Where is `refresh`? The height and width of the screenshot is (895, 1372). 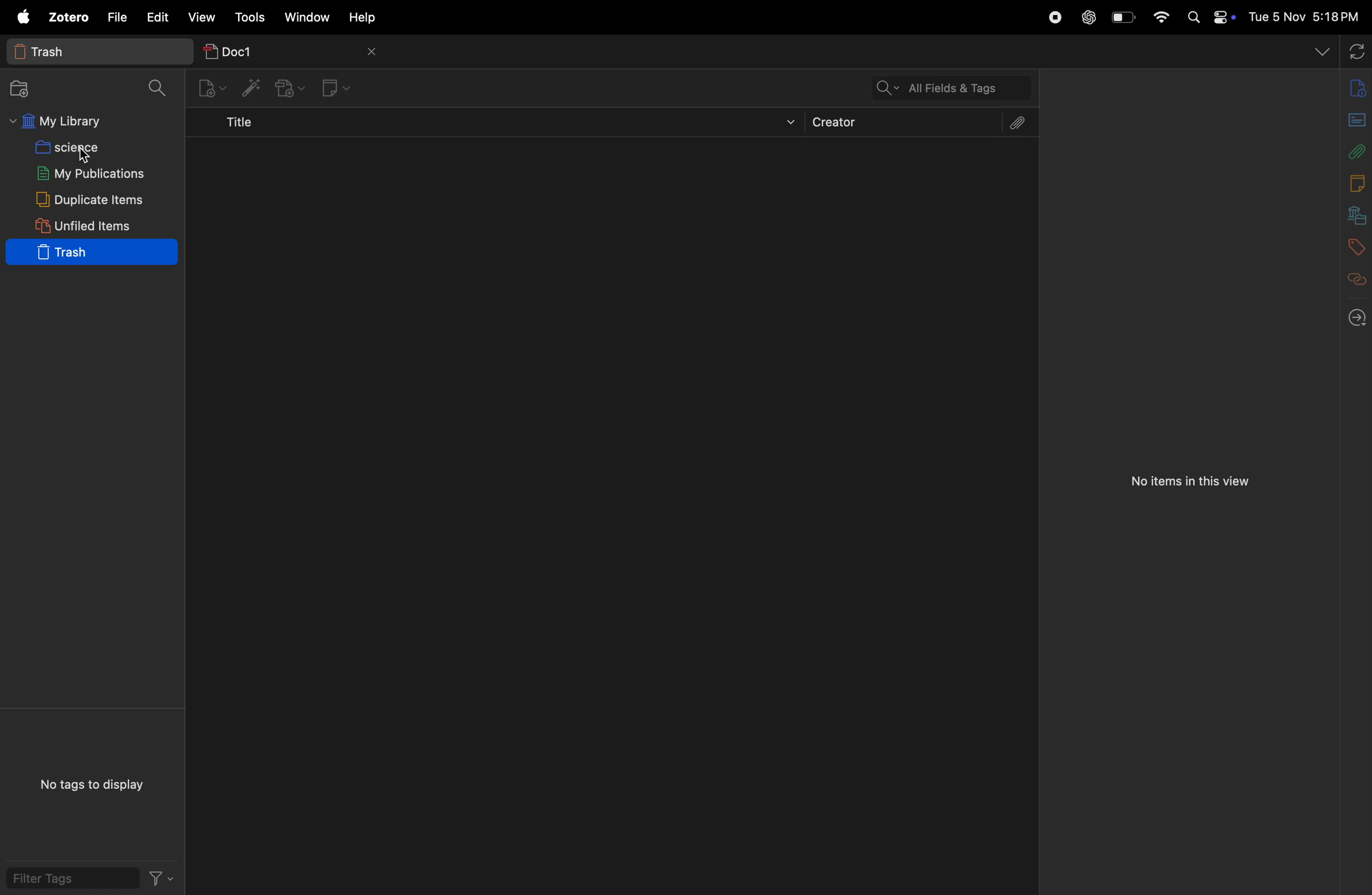
refresh is located at coordinates (1355, 50).